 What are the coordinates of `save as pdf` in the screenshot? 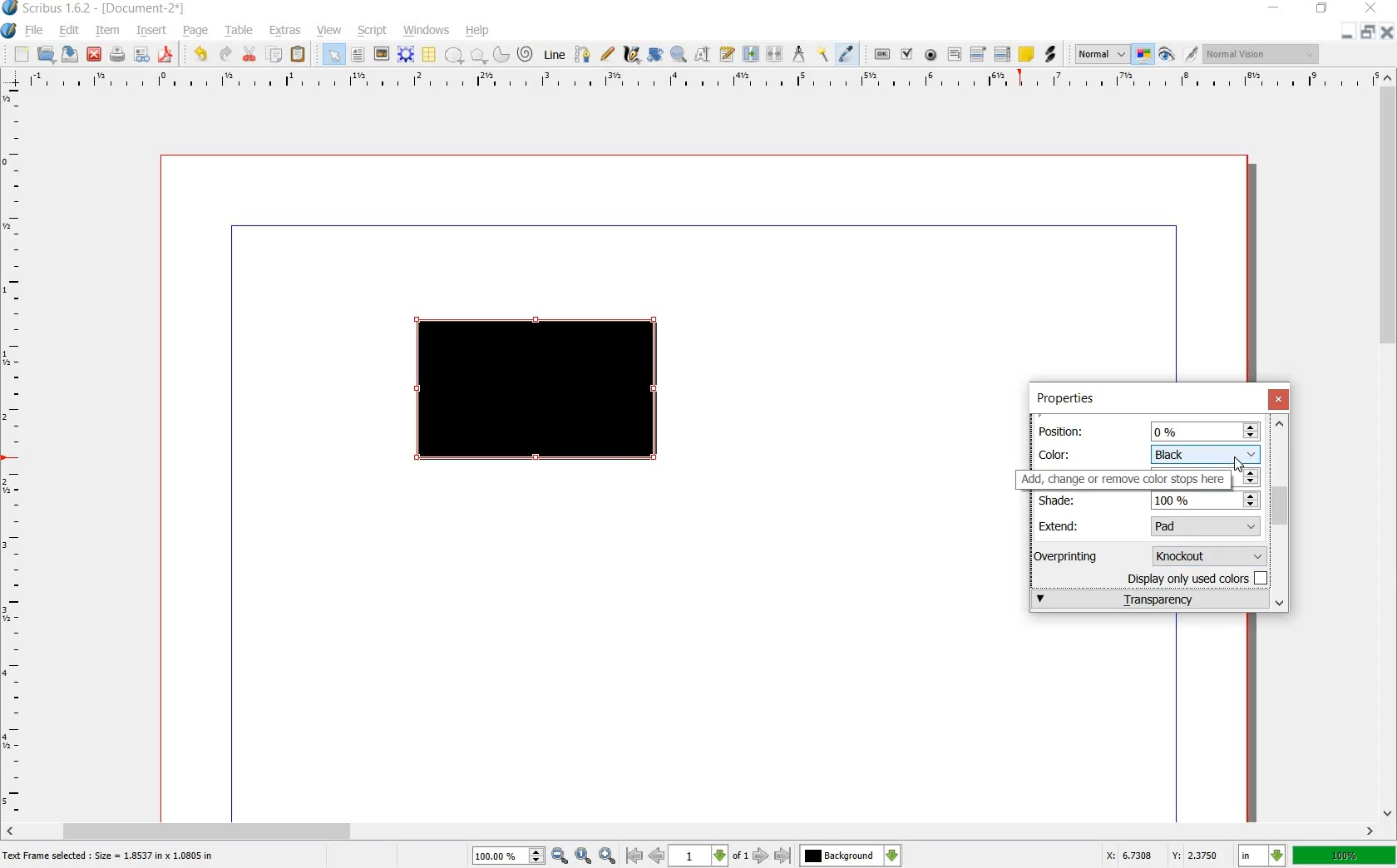 It's located at (165, 55).